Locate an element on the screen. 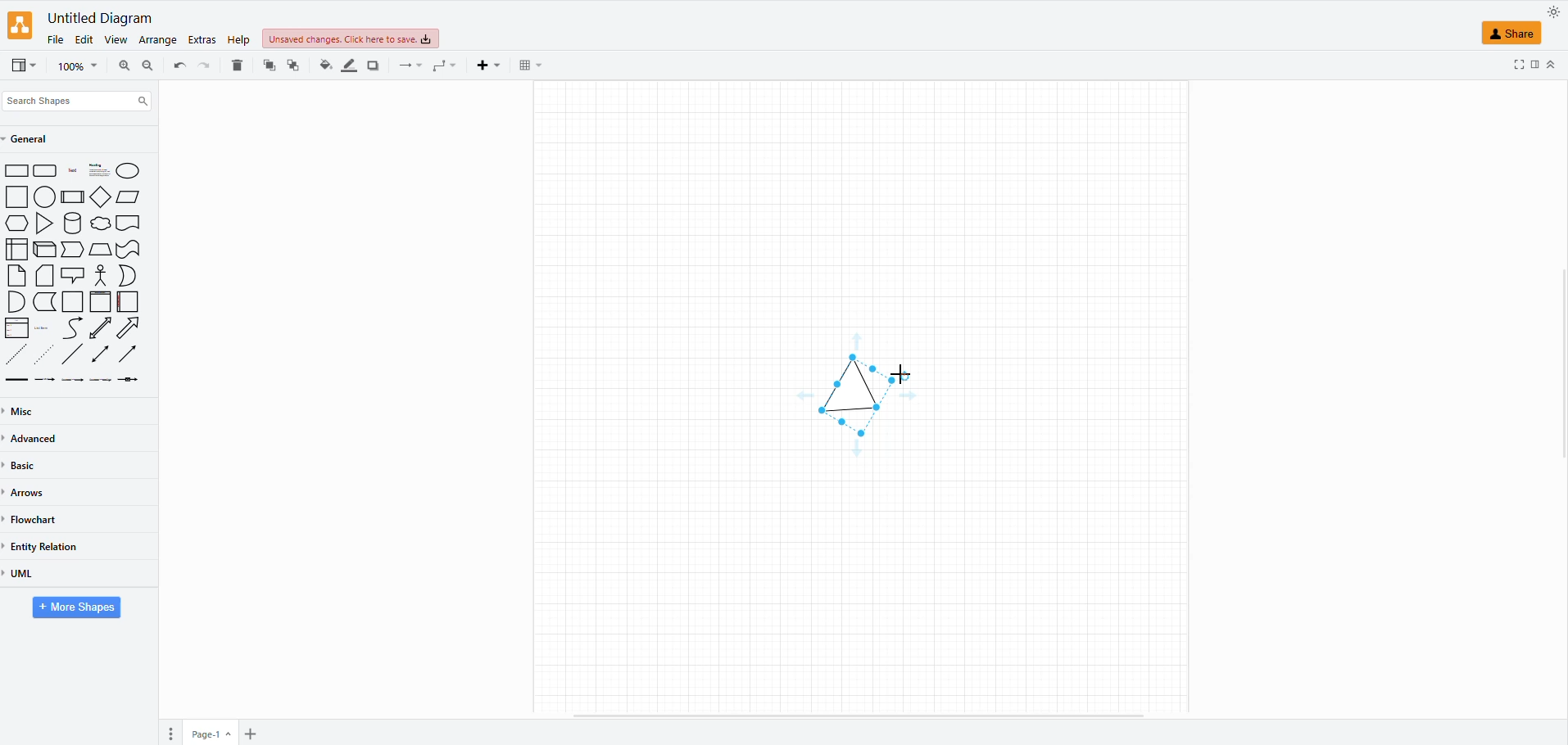  logo is located at coordinates (21, 26).